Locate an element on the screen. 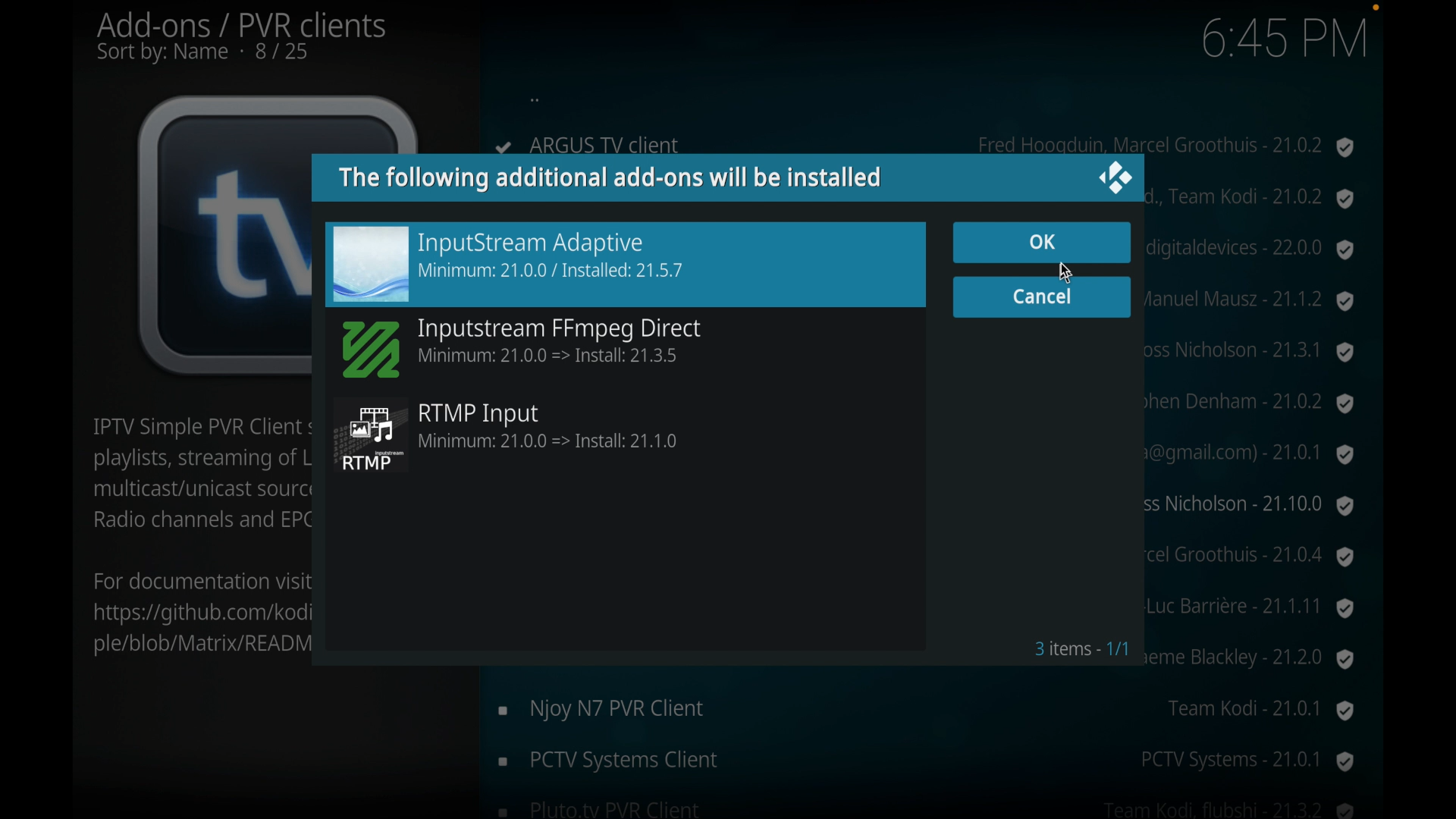 This screenshot has height=819, width=1456. info is located at coordinates (610, 178).